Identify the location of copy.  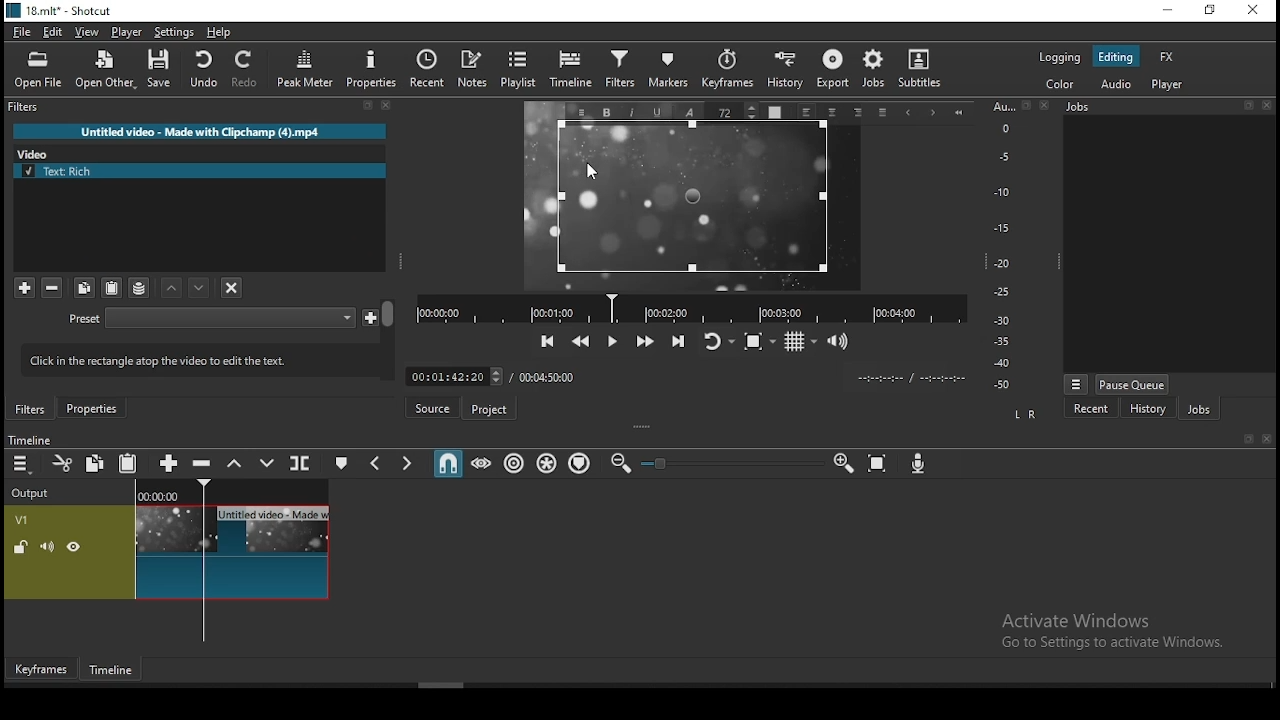
(85, 288).